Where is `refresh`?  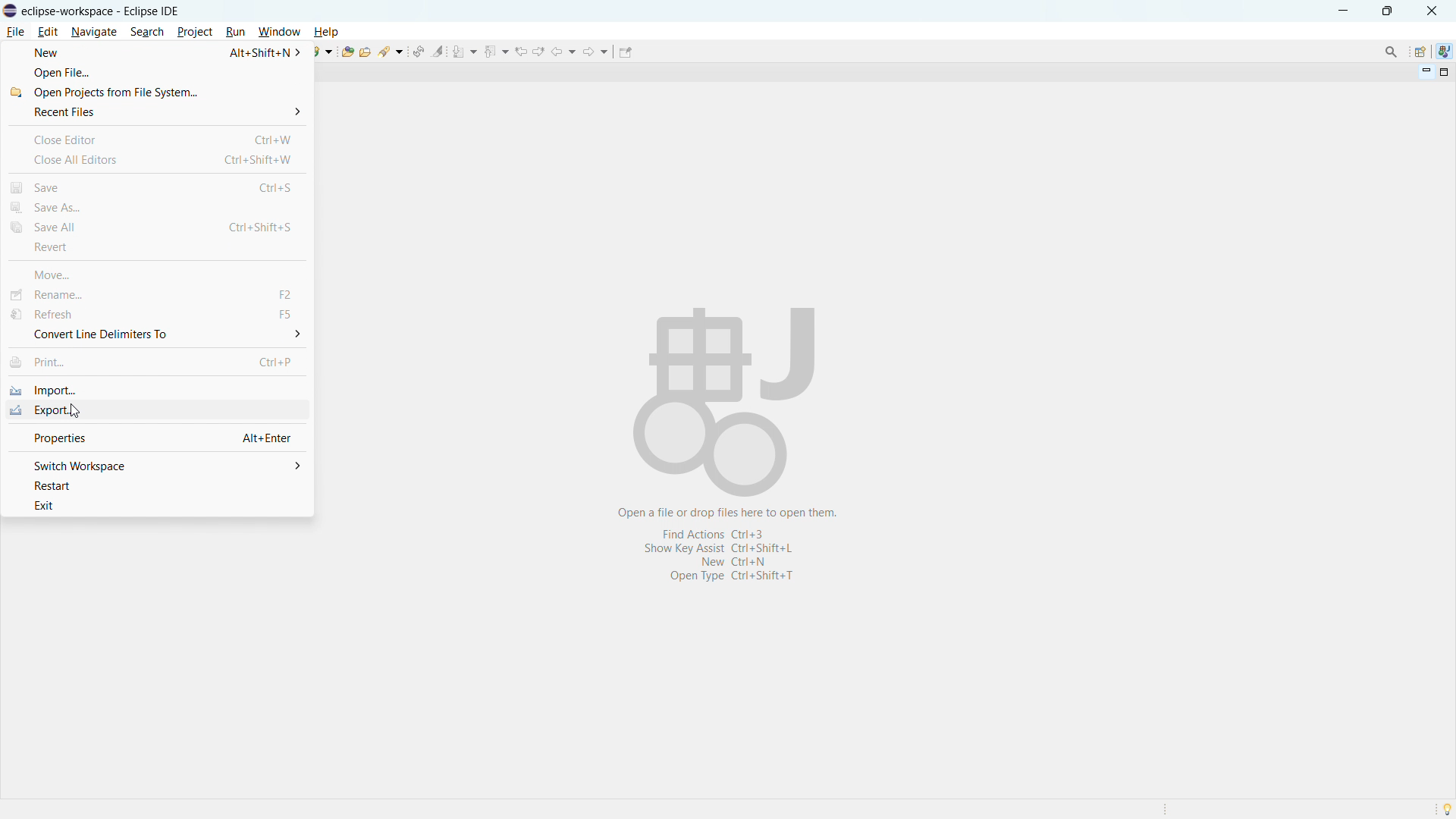 refresh is located at coordinates (158, 315).